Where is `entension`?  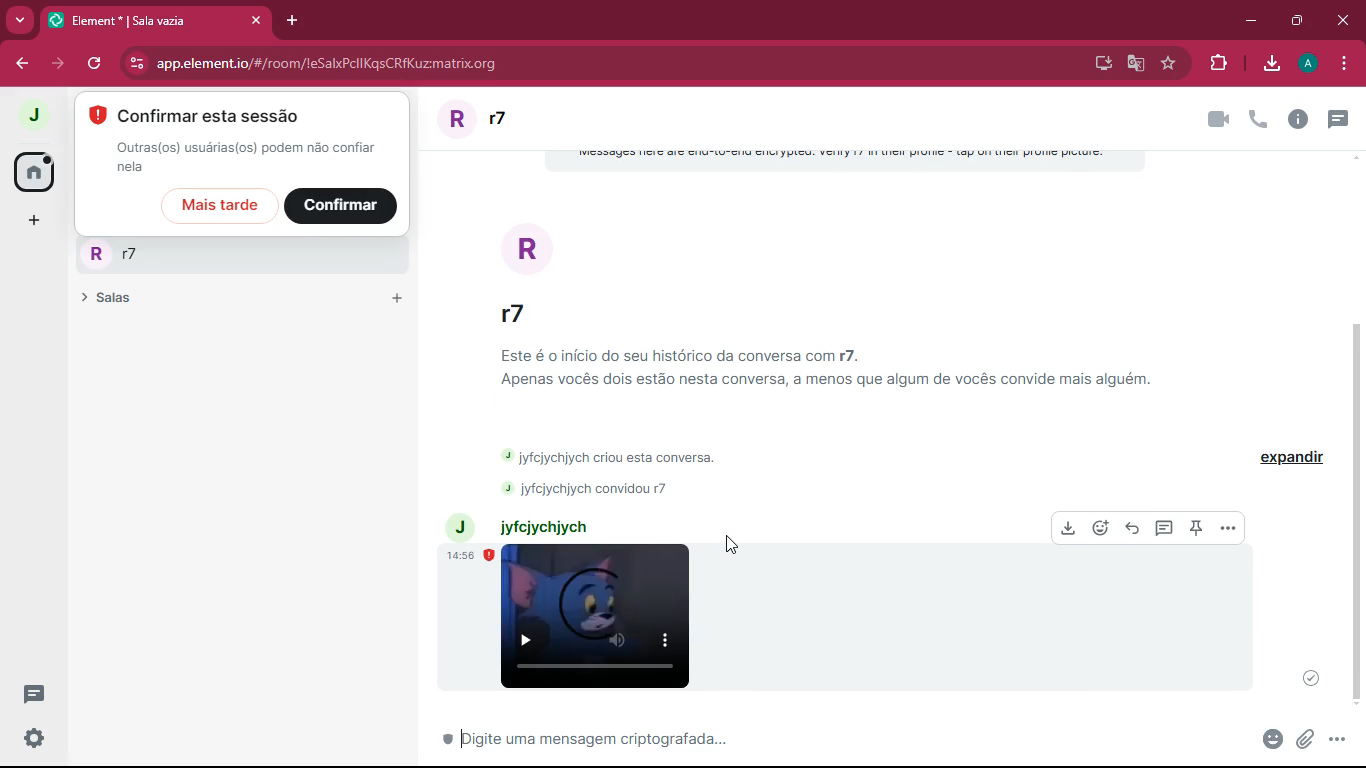
entension is located at coordinates (1214, 64).